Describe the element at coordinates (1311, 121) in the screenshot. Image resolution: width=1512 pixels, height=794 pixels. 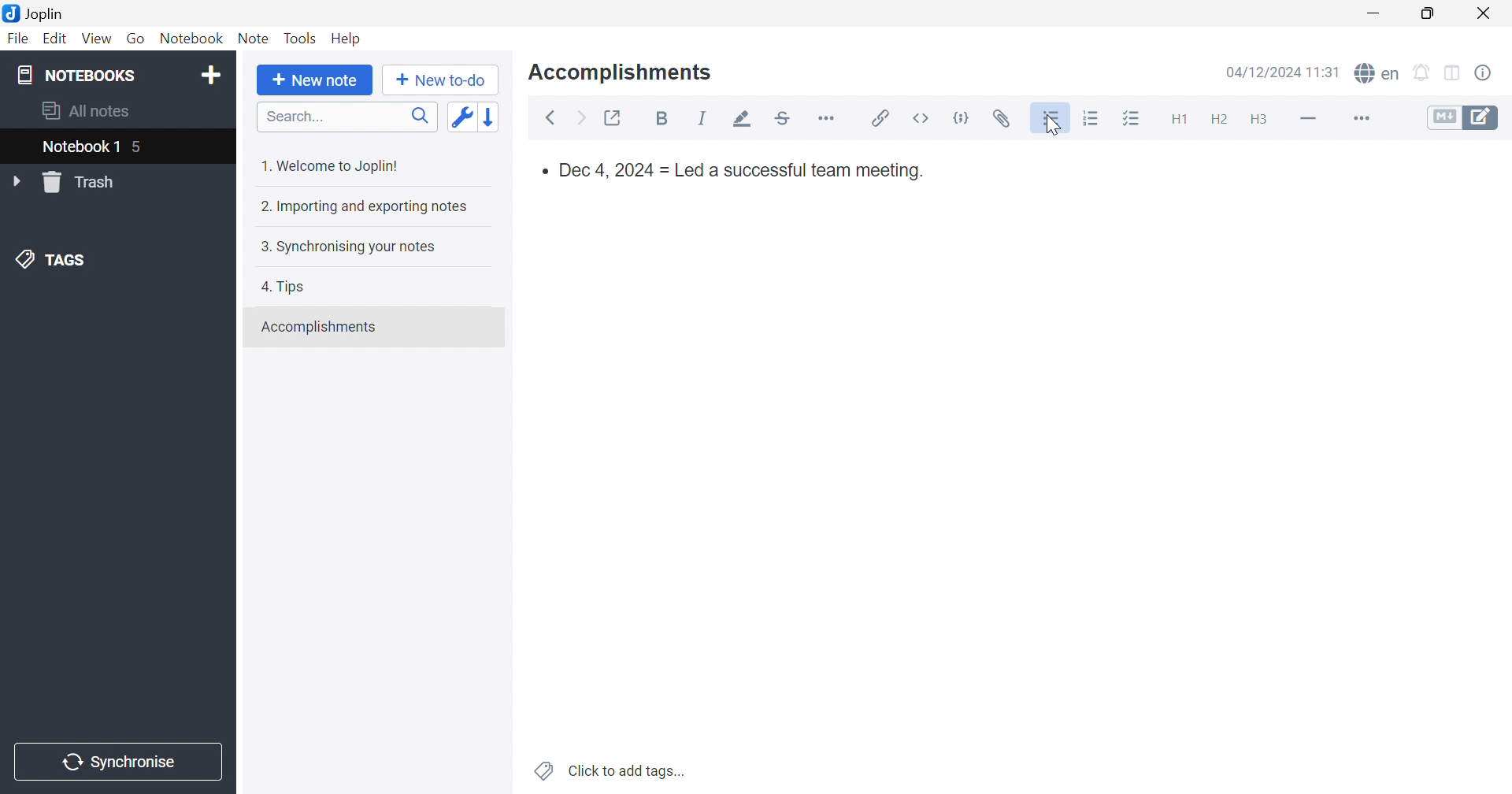
I see `Horizontal line` at that location.